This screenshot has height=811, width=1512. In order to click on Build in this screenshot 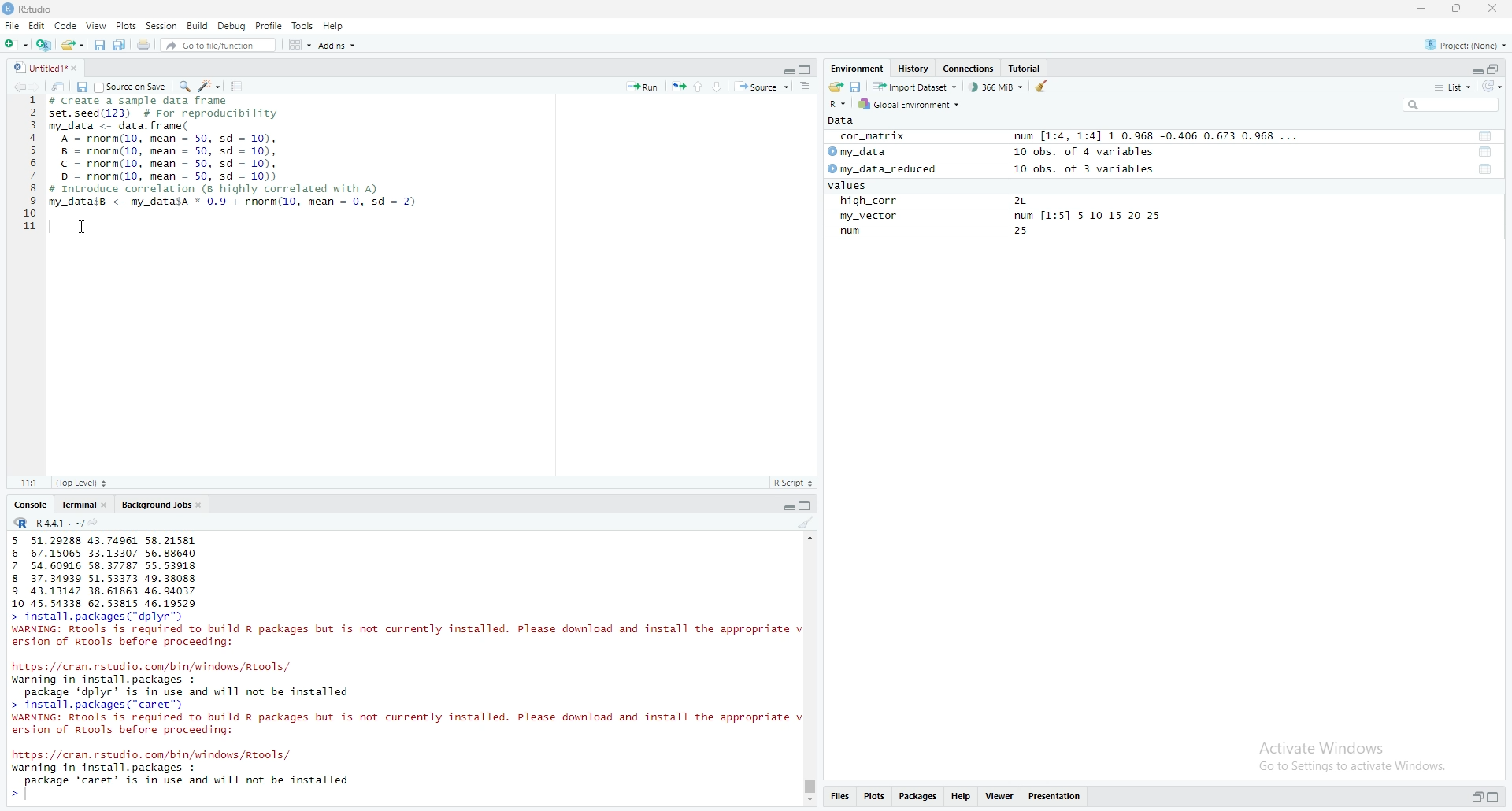, I will do `click(197, 26)`.